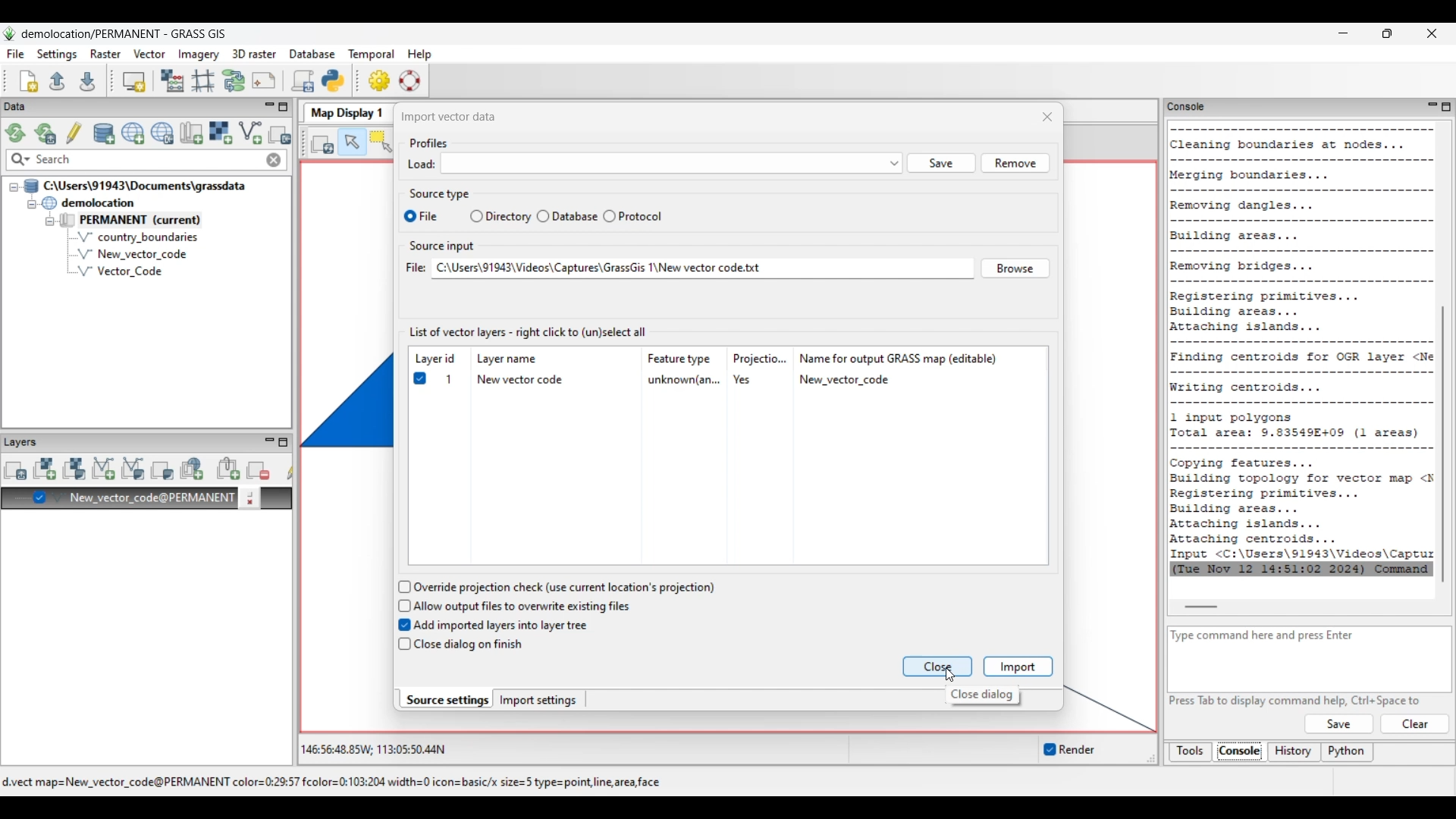  I want to click on File:, so click(414, 268).